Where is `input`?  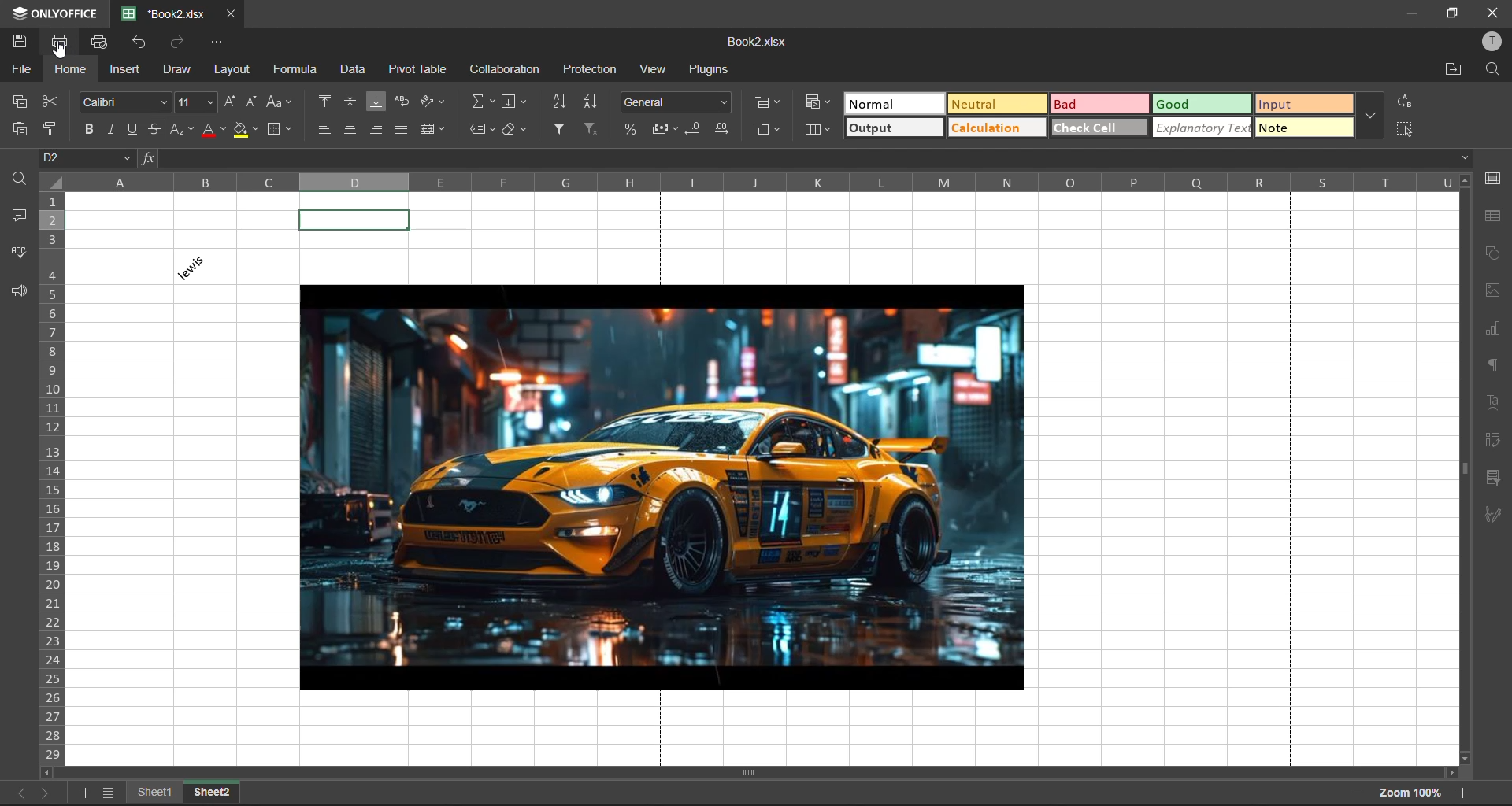 input is located at coordinates (1303, 106).